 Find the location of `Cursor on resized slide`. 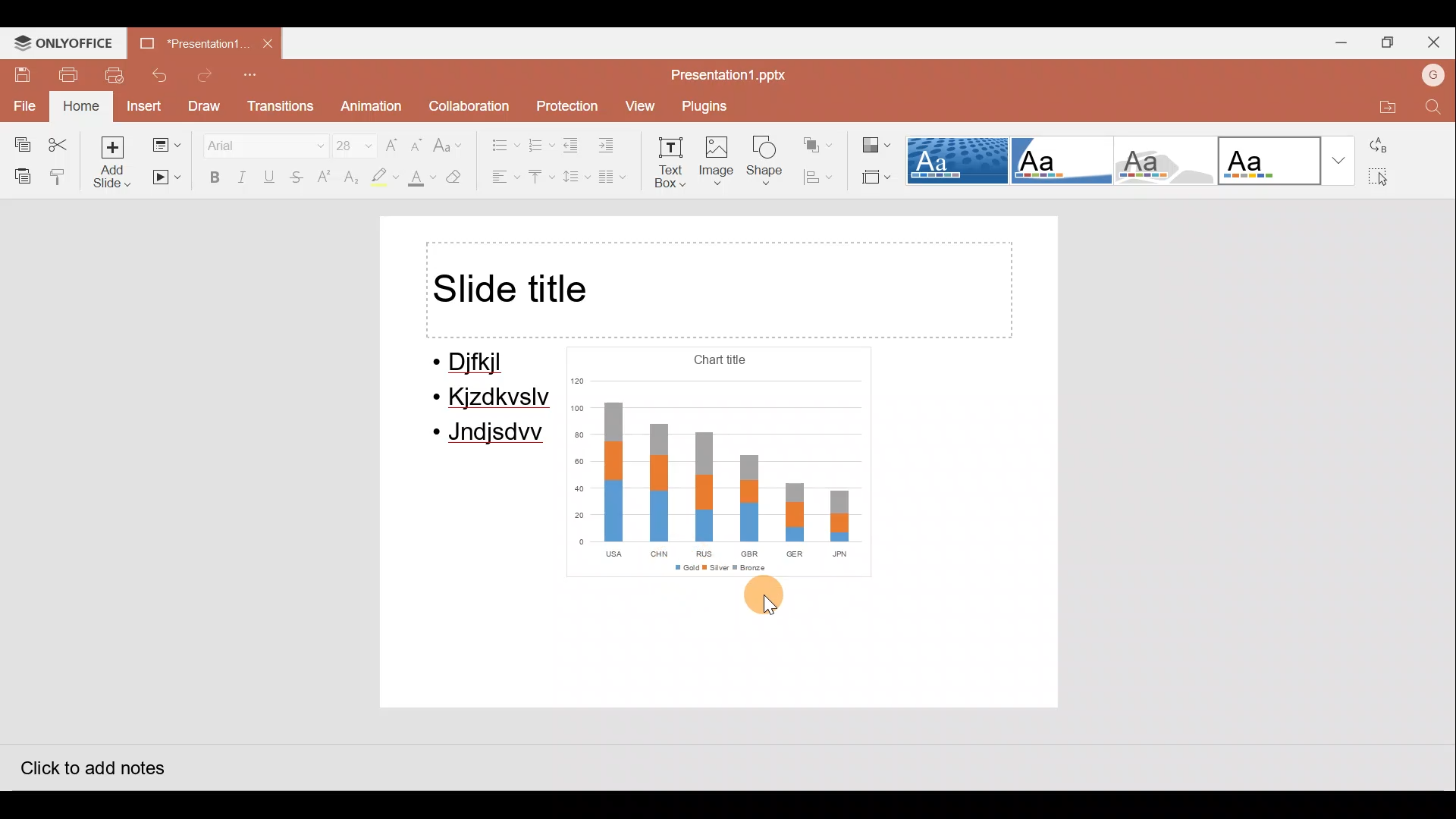

Cursor on resized slide is located at coordinates (770, 603).